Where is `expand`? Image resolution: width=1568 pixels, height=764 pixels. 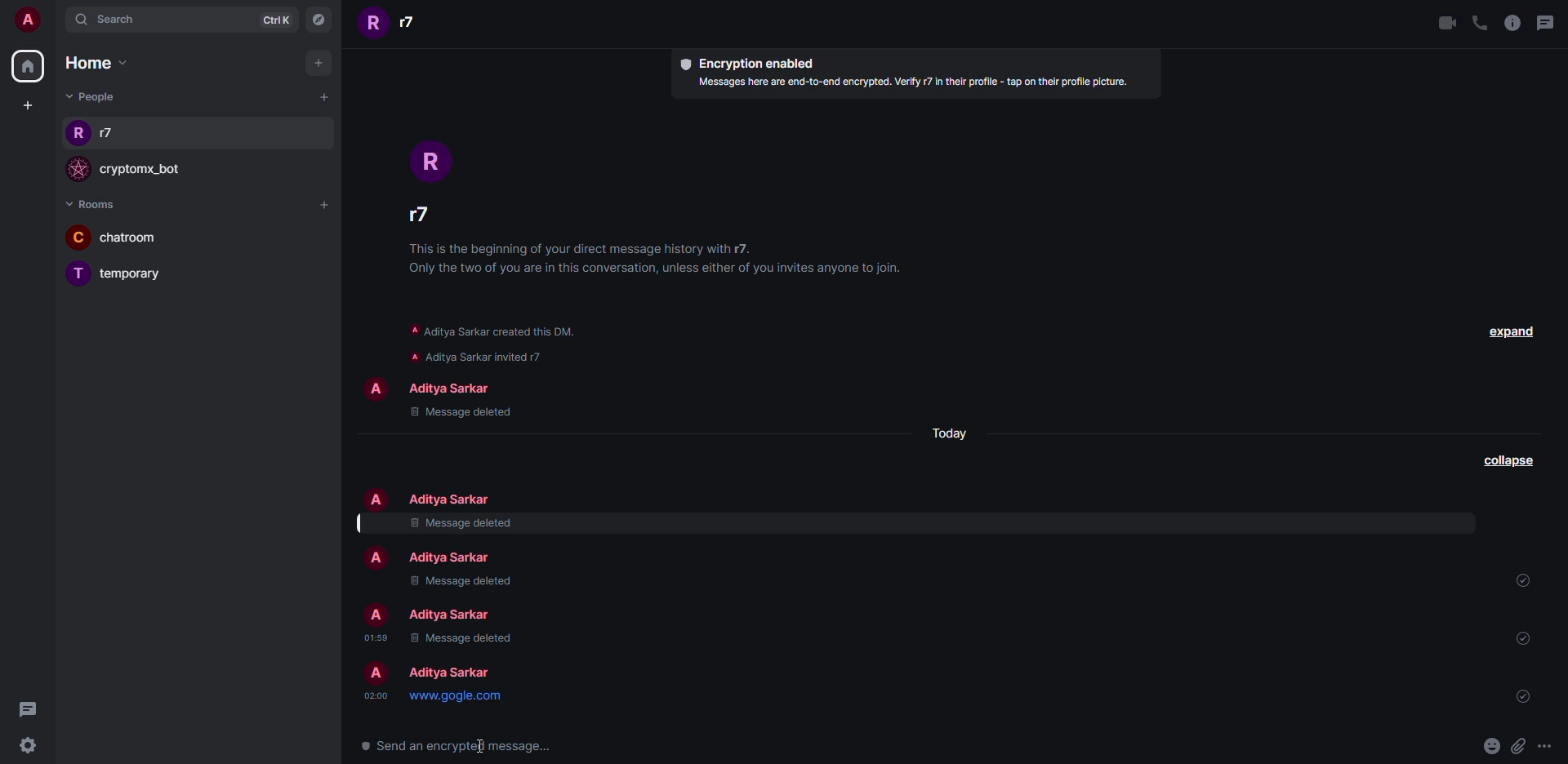
expand is located at coordinates (1512, 331).